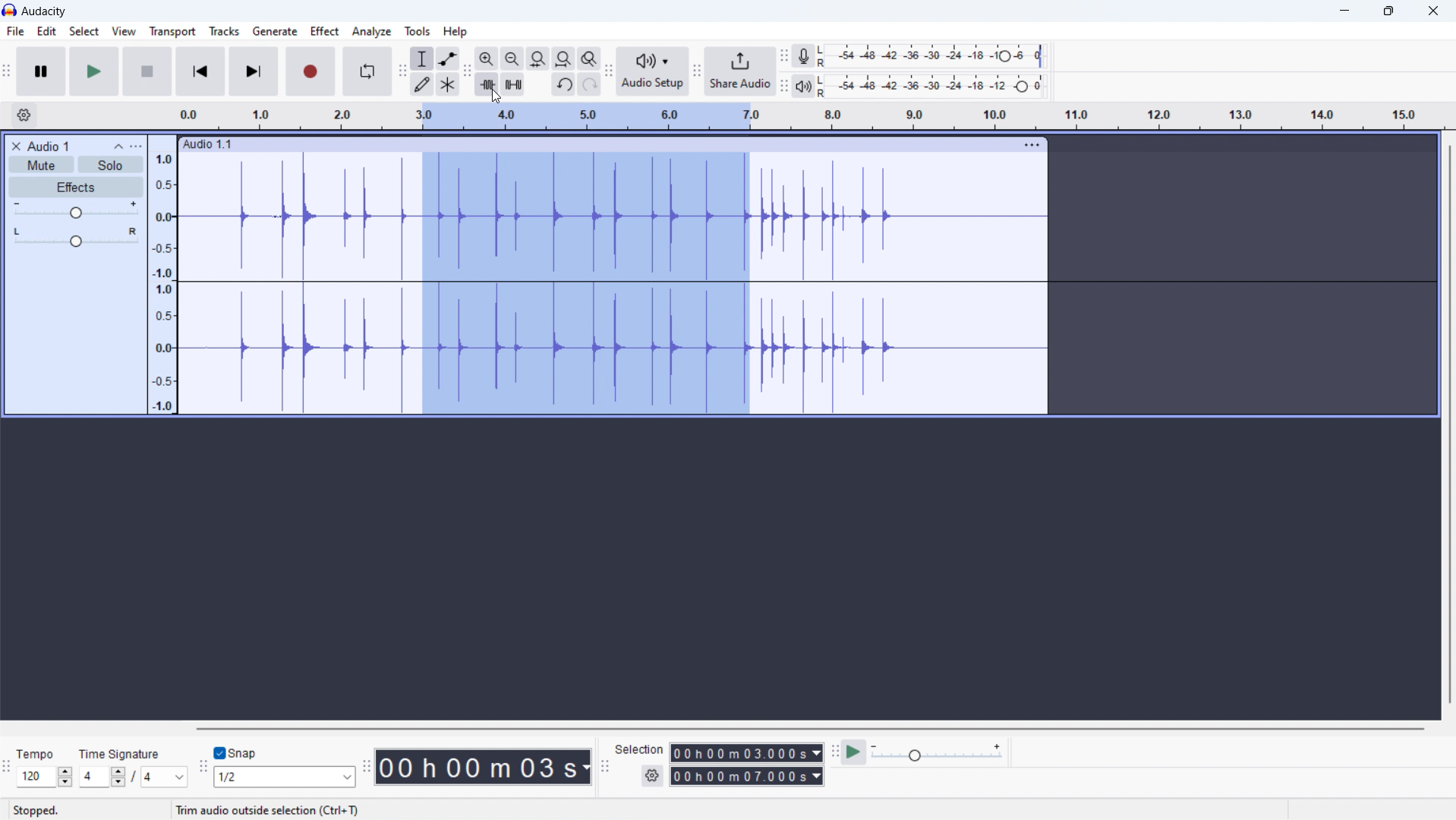 This screenshot has height=820, width=1456. I want to click on 4/4 (top/bottom time signature), so click(130, 779).